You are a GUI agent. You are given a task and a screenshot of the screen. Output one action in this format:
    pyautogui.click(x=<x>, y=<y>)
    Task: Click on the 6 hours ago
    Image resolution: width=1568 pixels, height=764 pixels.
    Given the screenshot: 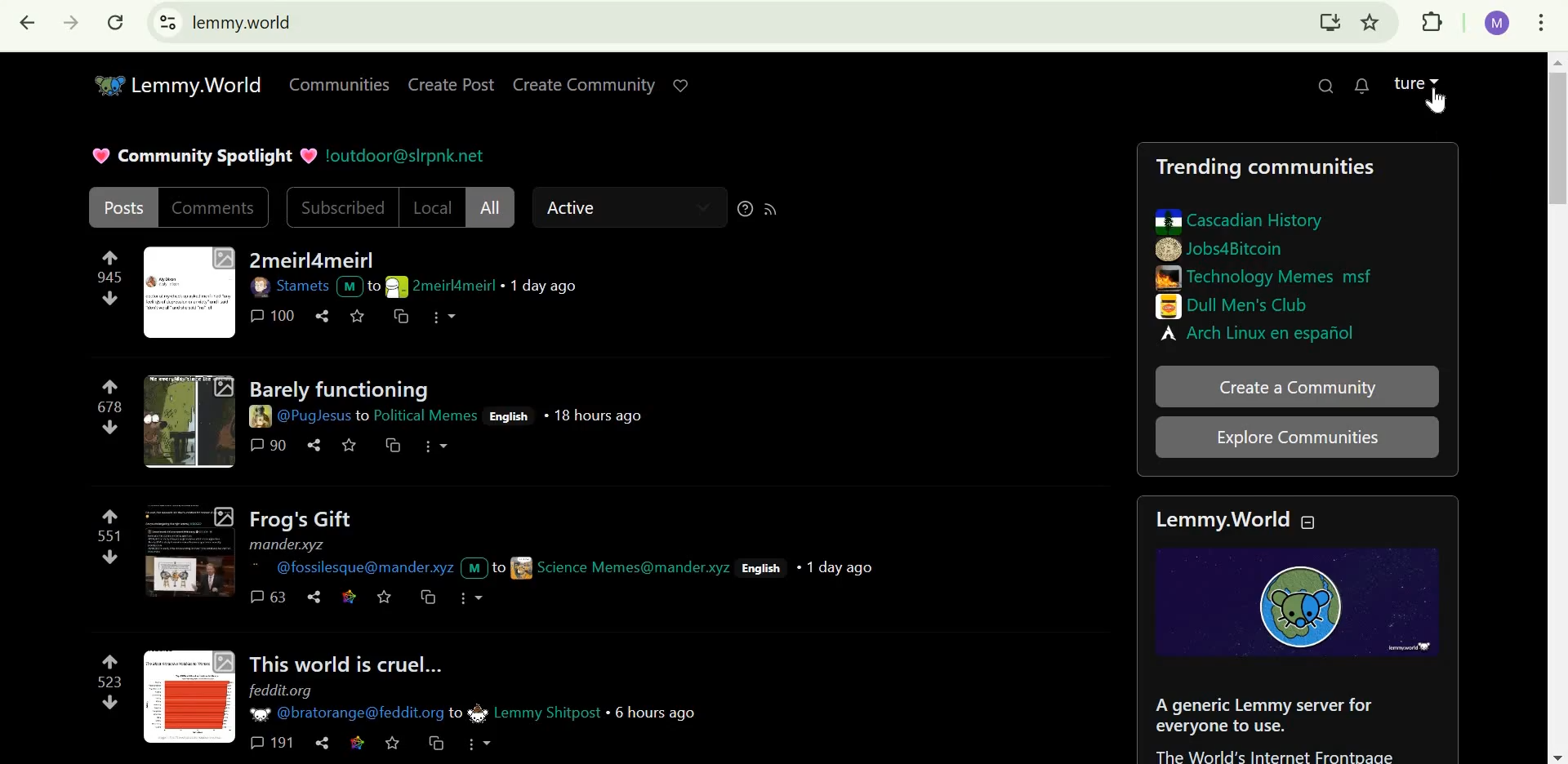 What is the action you would take?
    pyautogui.click(x=657, y=712)
    